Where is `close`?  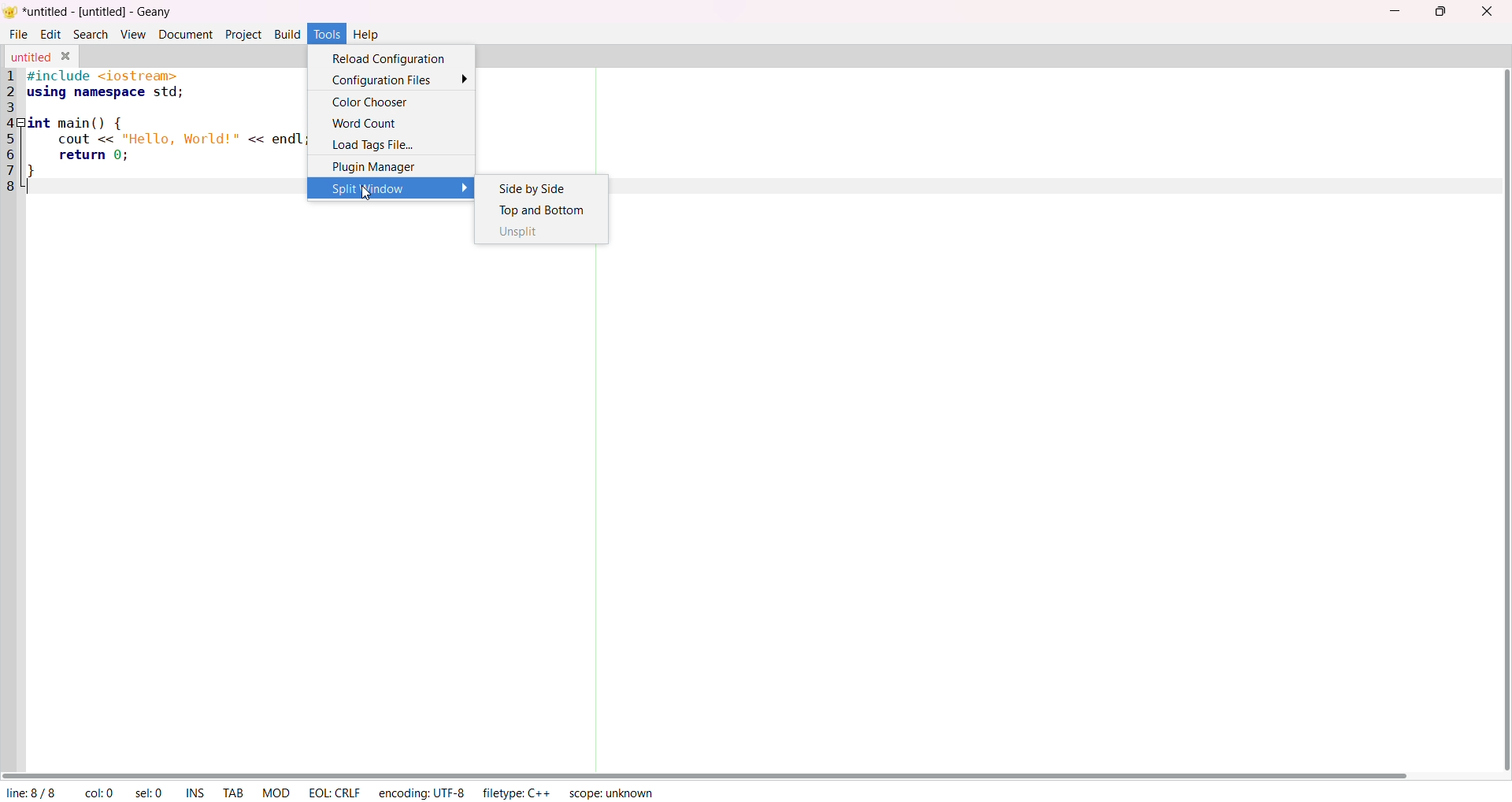 close is located at coordinates (1484, 13).